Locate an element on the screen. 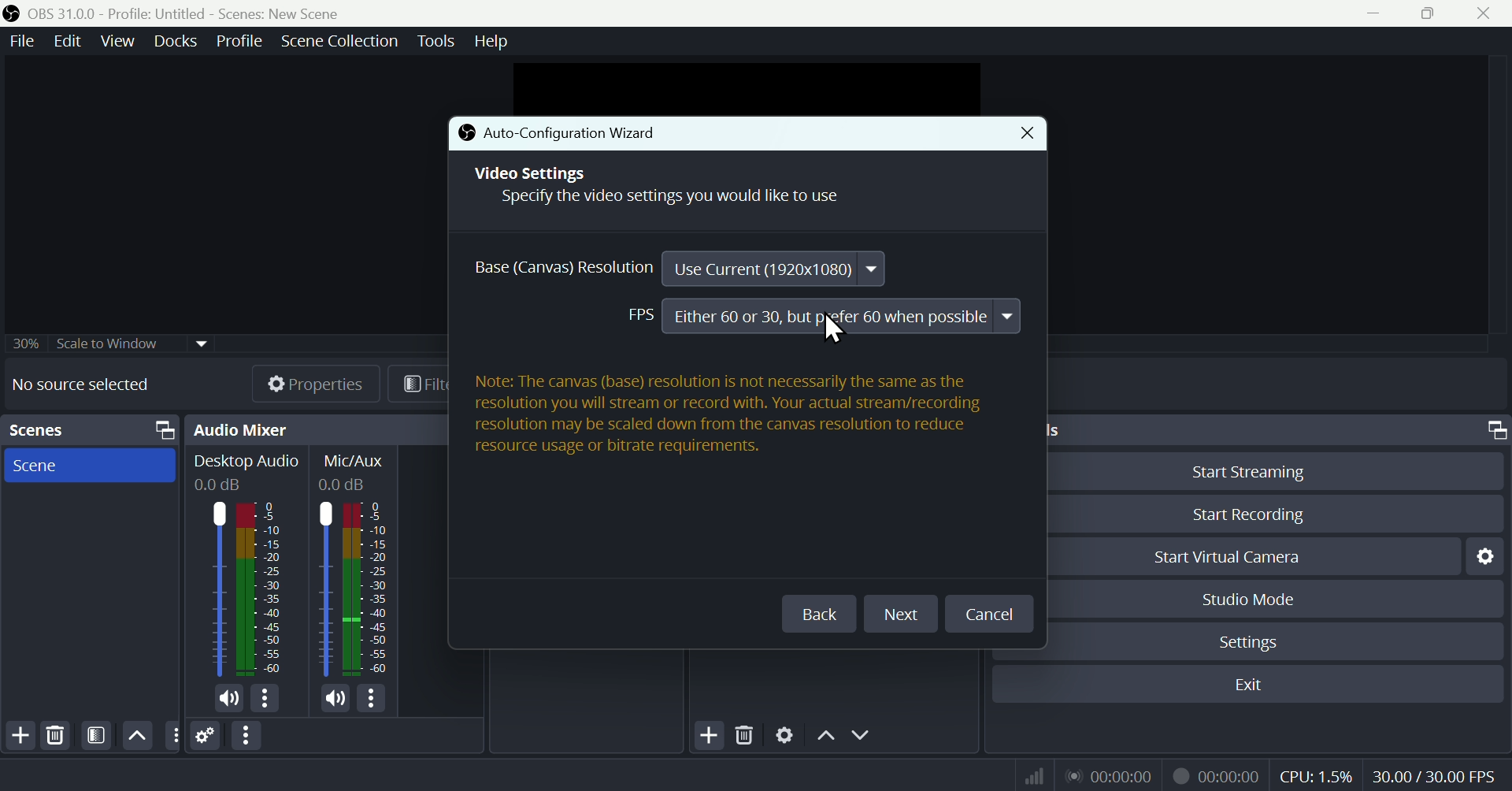 This screenshot has height=791, width=1512. Profile is located at coordinates (235, 41).